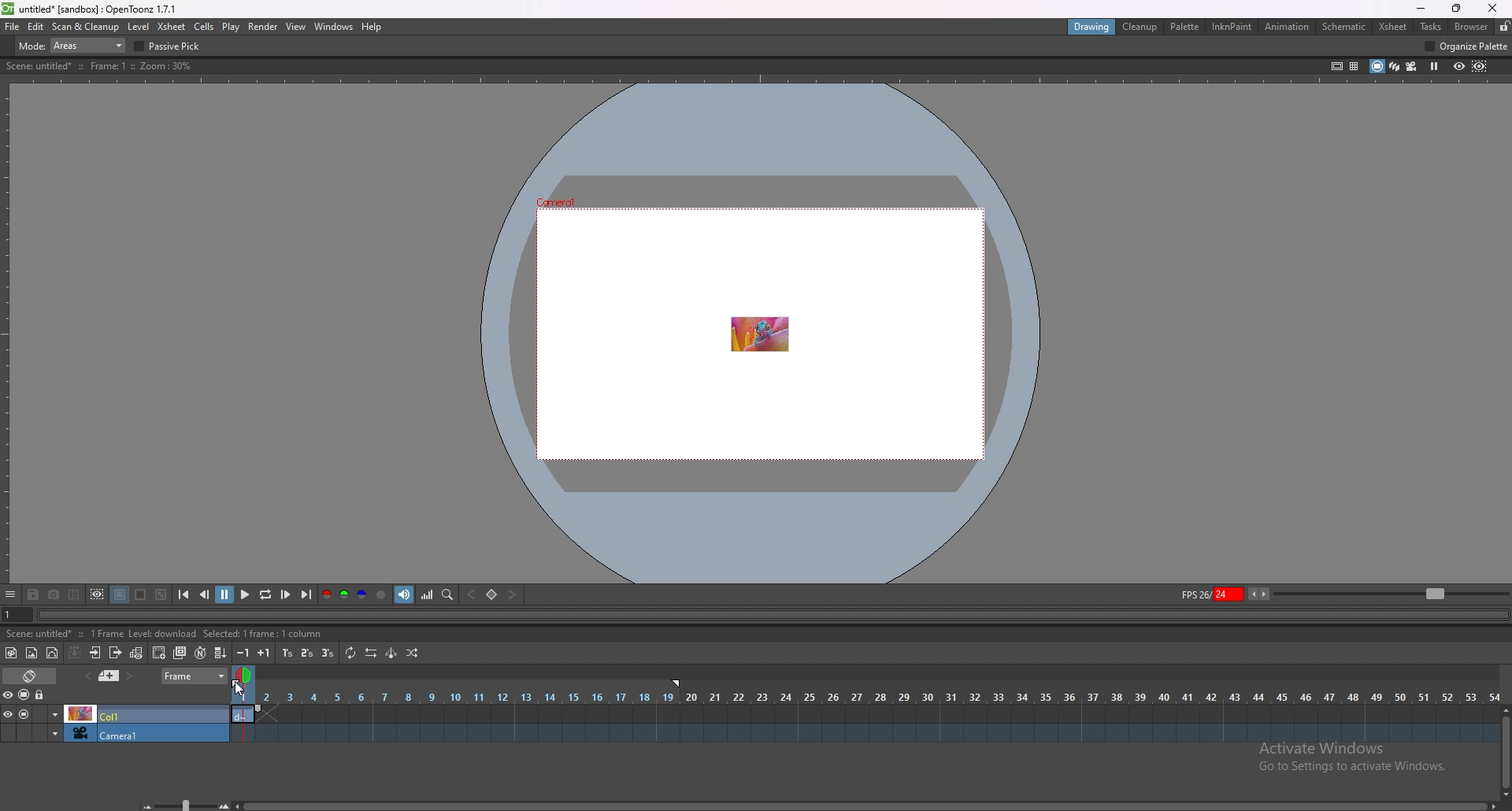 The height and width of the screenshot is (811, 1512). What do you see at coordinates (129, 676) in the screenshot?
I see `next memo` at bounding box center [129, 676].